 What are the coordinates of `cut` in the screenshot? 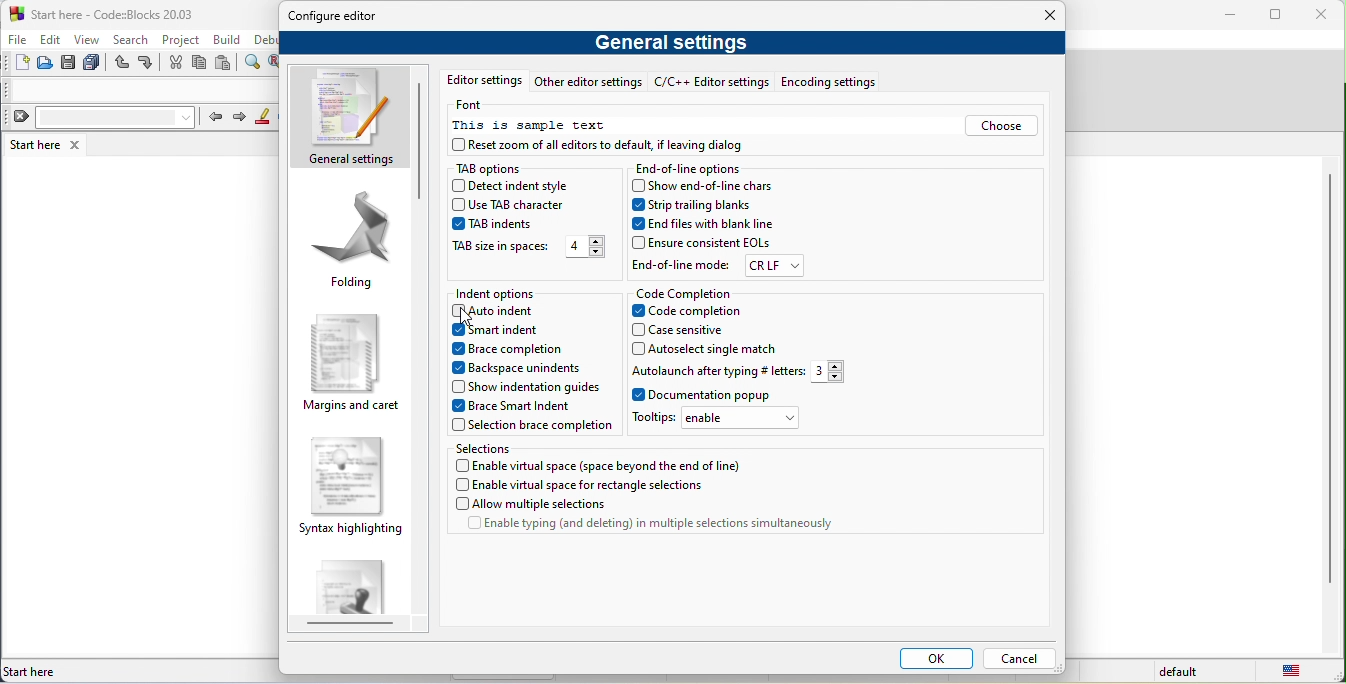 It's located at (176, 64).